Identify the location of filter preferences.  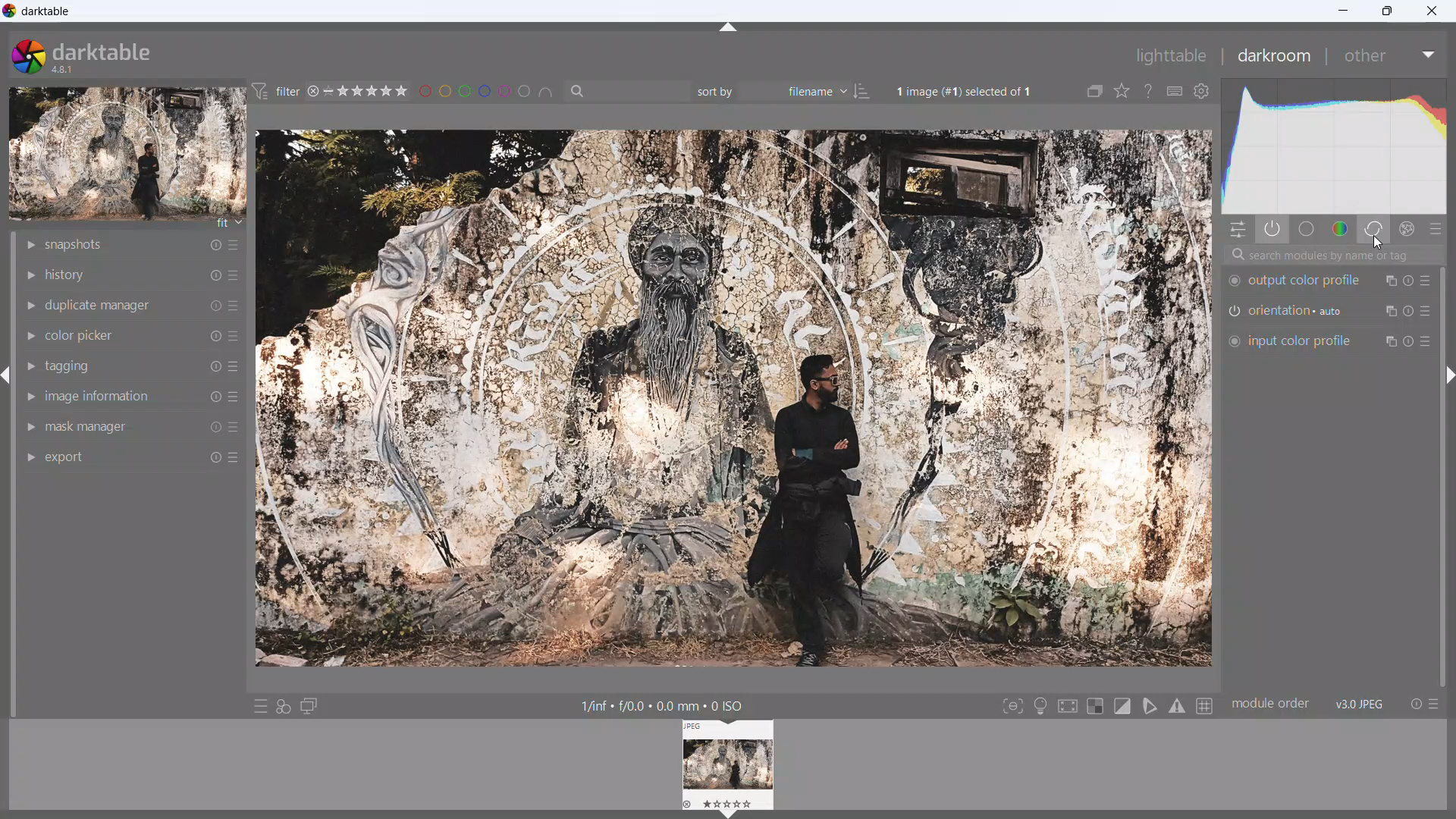
(276, 92).